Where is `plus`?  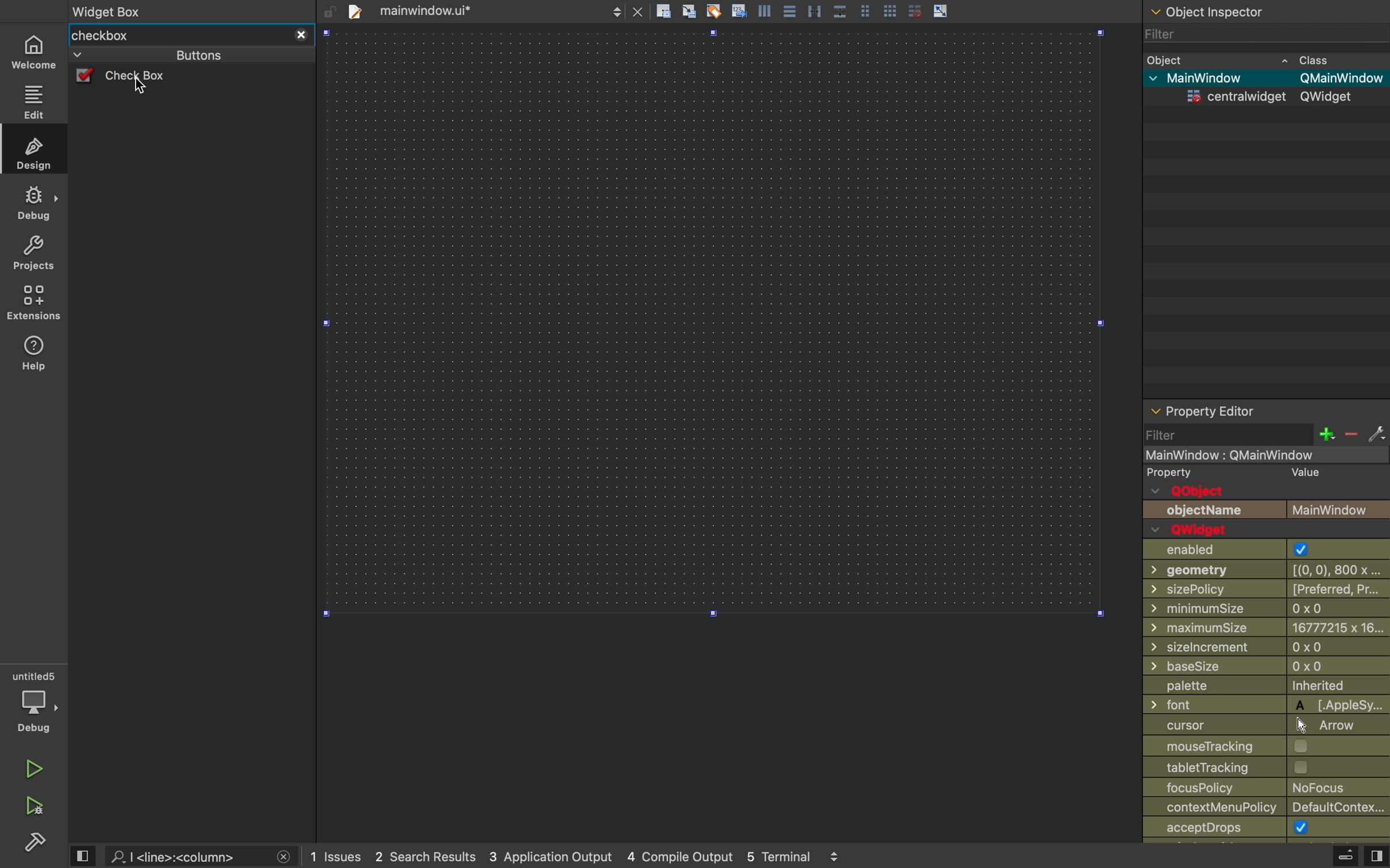 plus is located at coordinates (1326, 434).